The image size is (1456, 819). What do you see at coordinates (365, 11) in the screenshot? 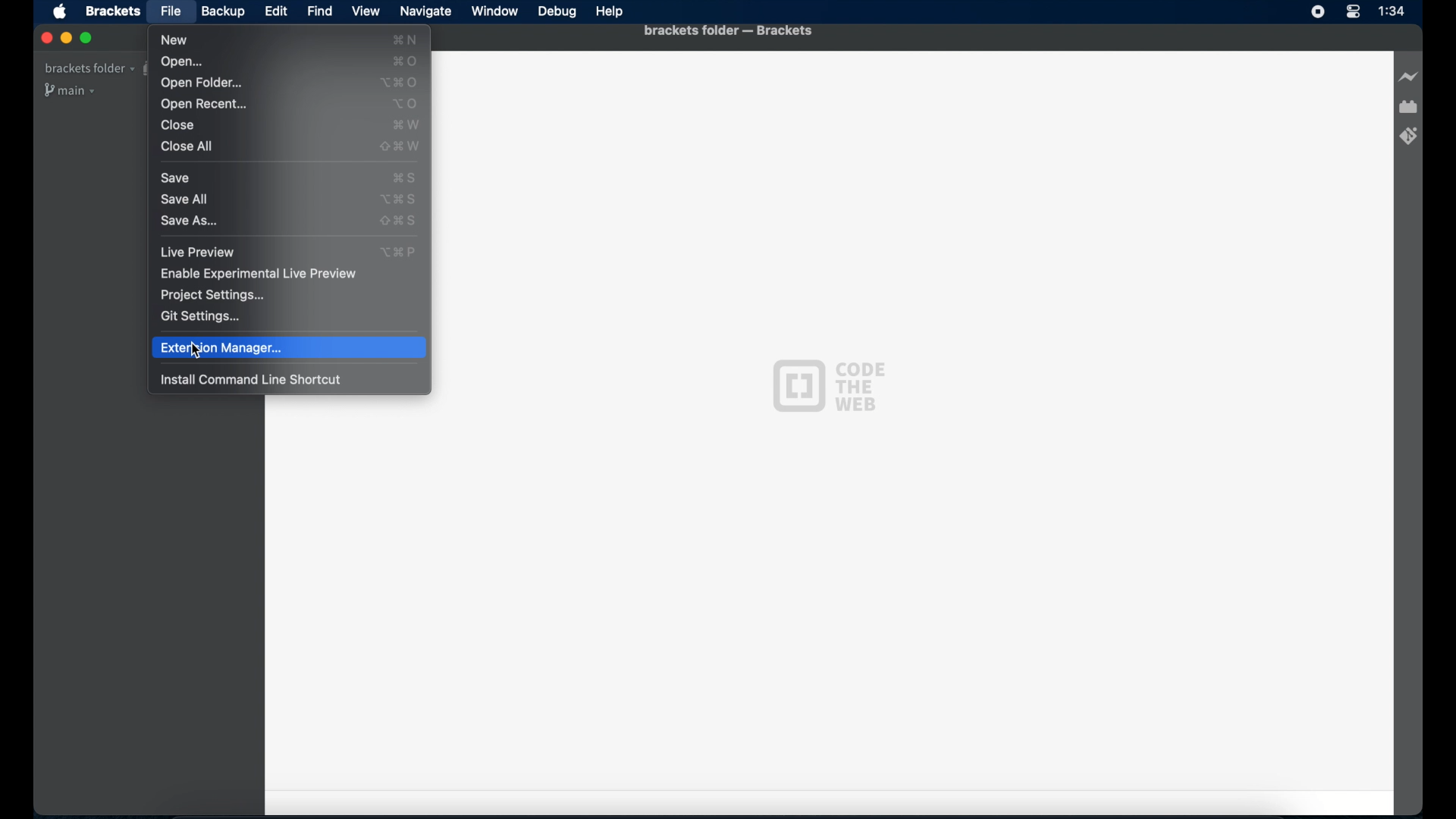
I see `View` at bounding box center [365, 11].